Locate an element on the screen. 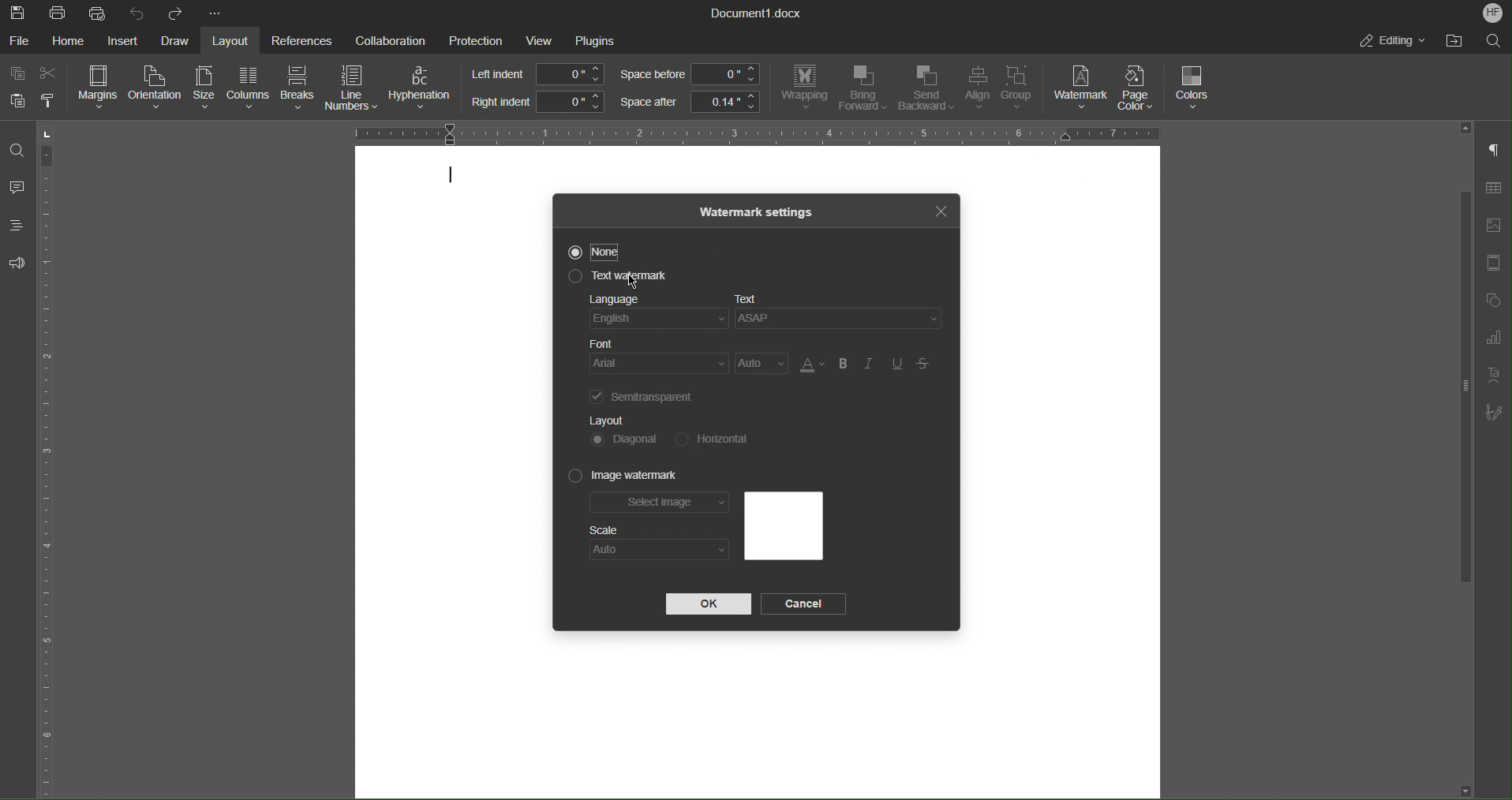 This screenshot has width=1512, height=800. Font is located at coordinates (661, 357).